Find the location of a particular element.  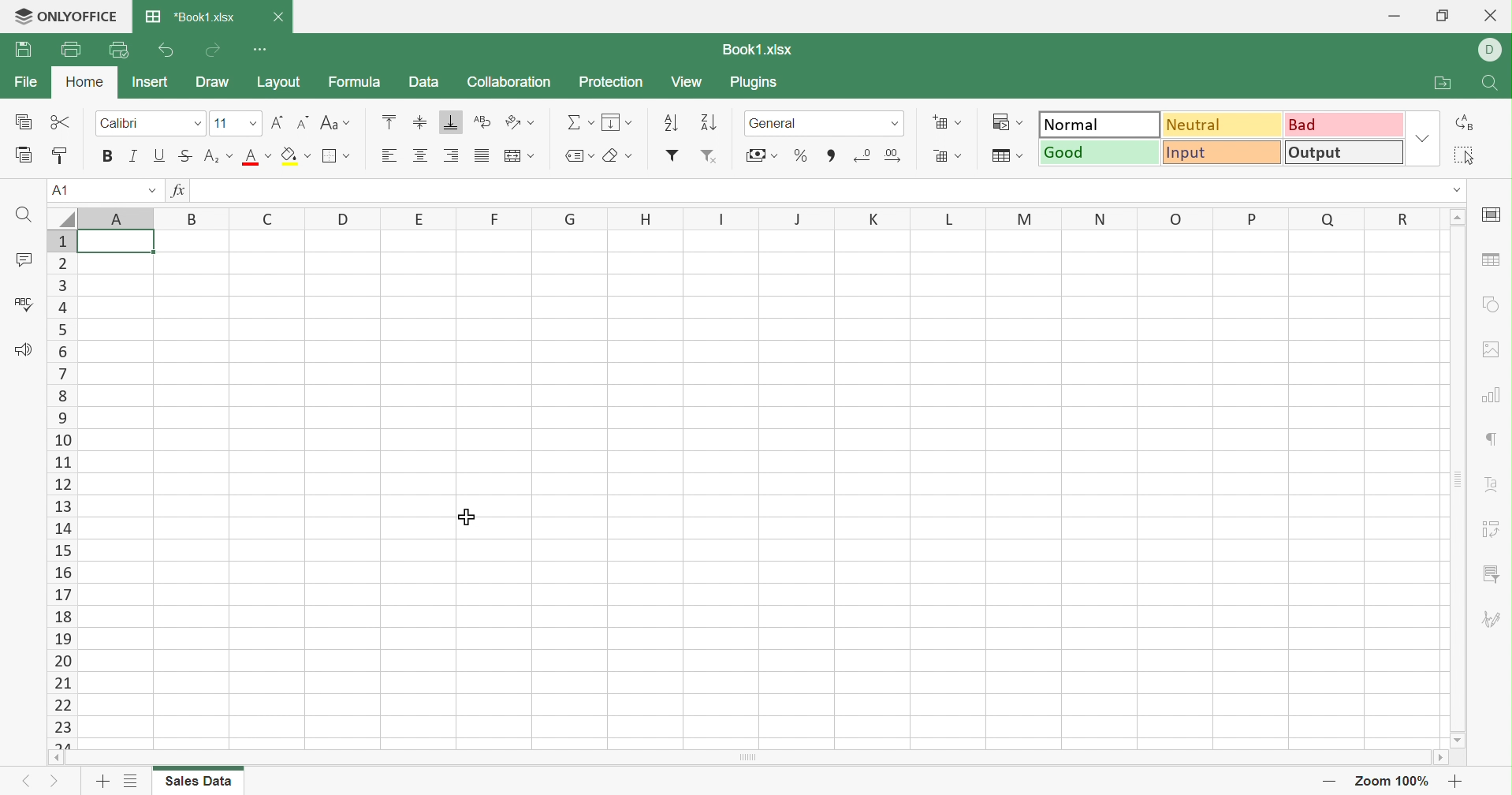

Increase font size is located at coordinates (277, 121).